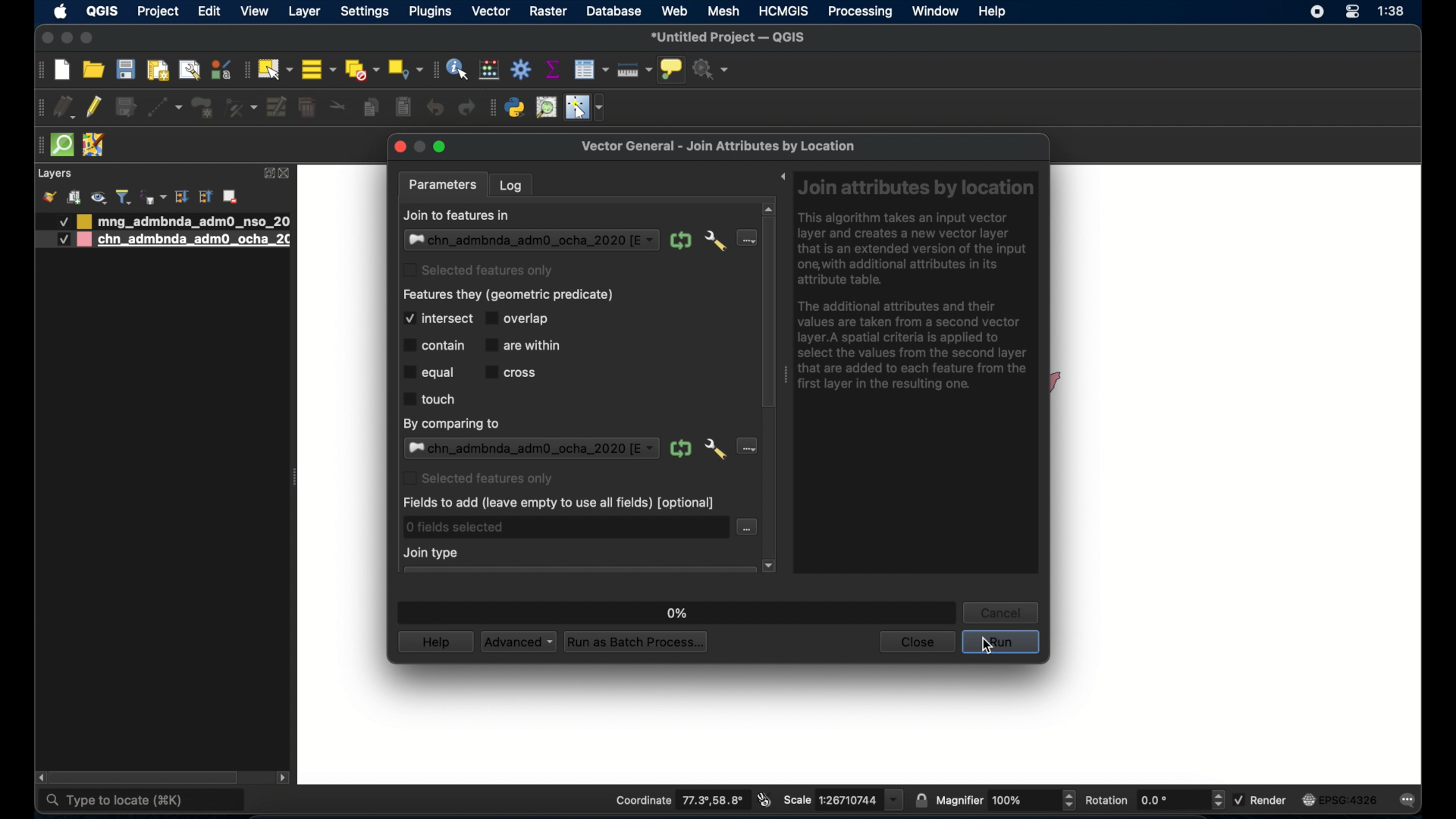  I want to click on lock scale, so click(923, 799).